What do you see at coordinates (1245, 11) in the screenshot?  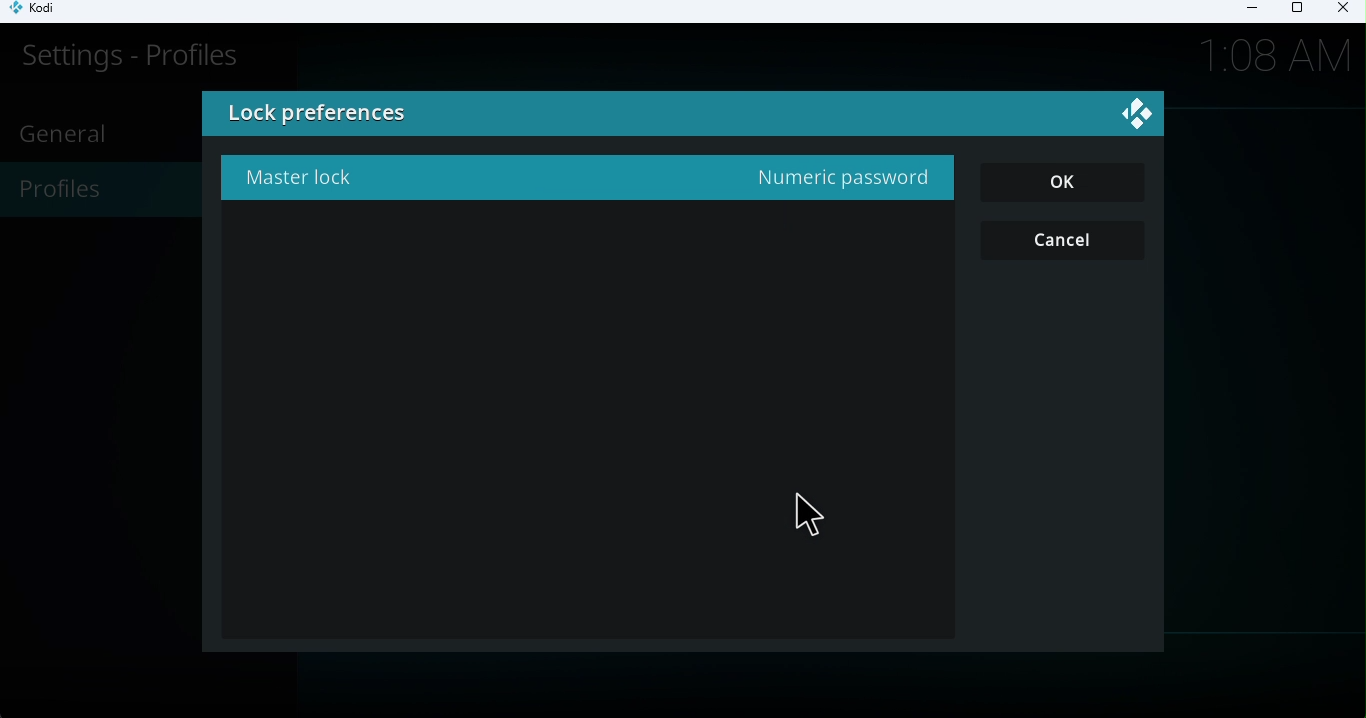 I see `Minimize` at bounding box center [1245, 11].